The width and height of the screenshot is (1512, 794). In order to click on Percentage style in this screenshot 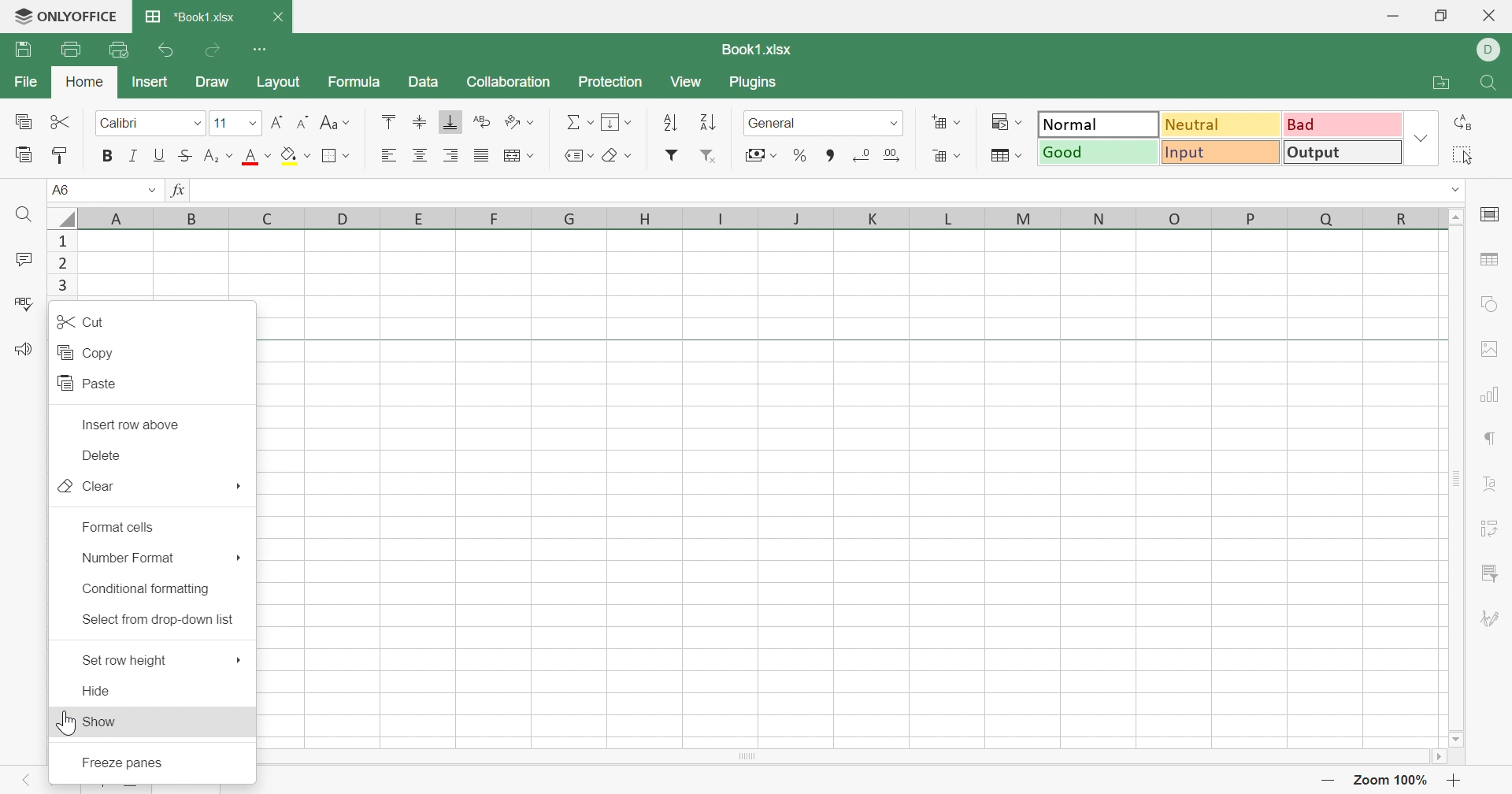, I will do `click(801, 157)`.